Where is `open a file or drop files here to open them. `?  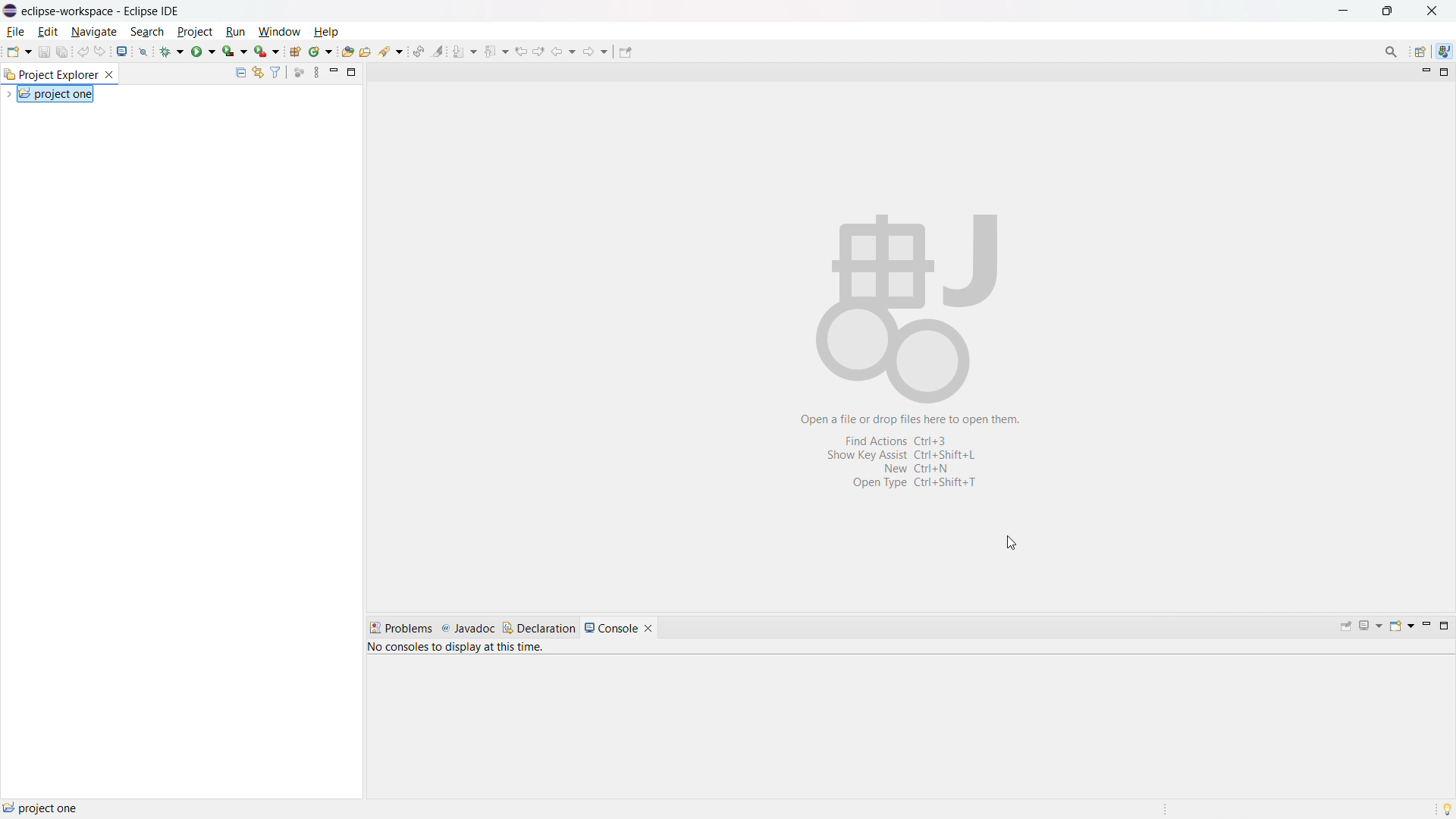 open a file or drop files here to open them.  is located at coordinates (915, 419).